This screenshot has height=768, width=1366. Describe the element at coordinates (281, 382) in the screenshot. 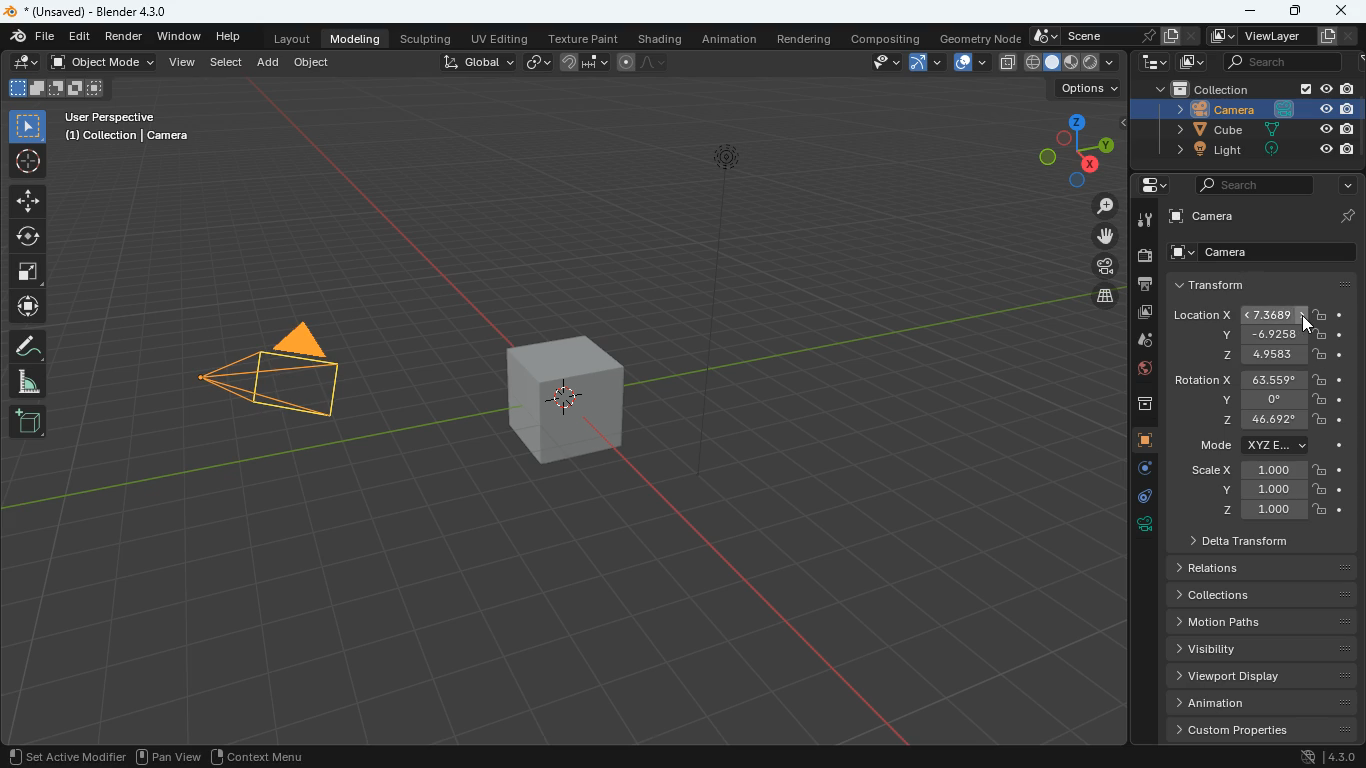

I see `camera` at that location.